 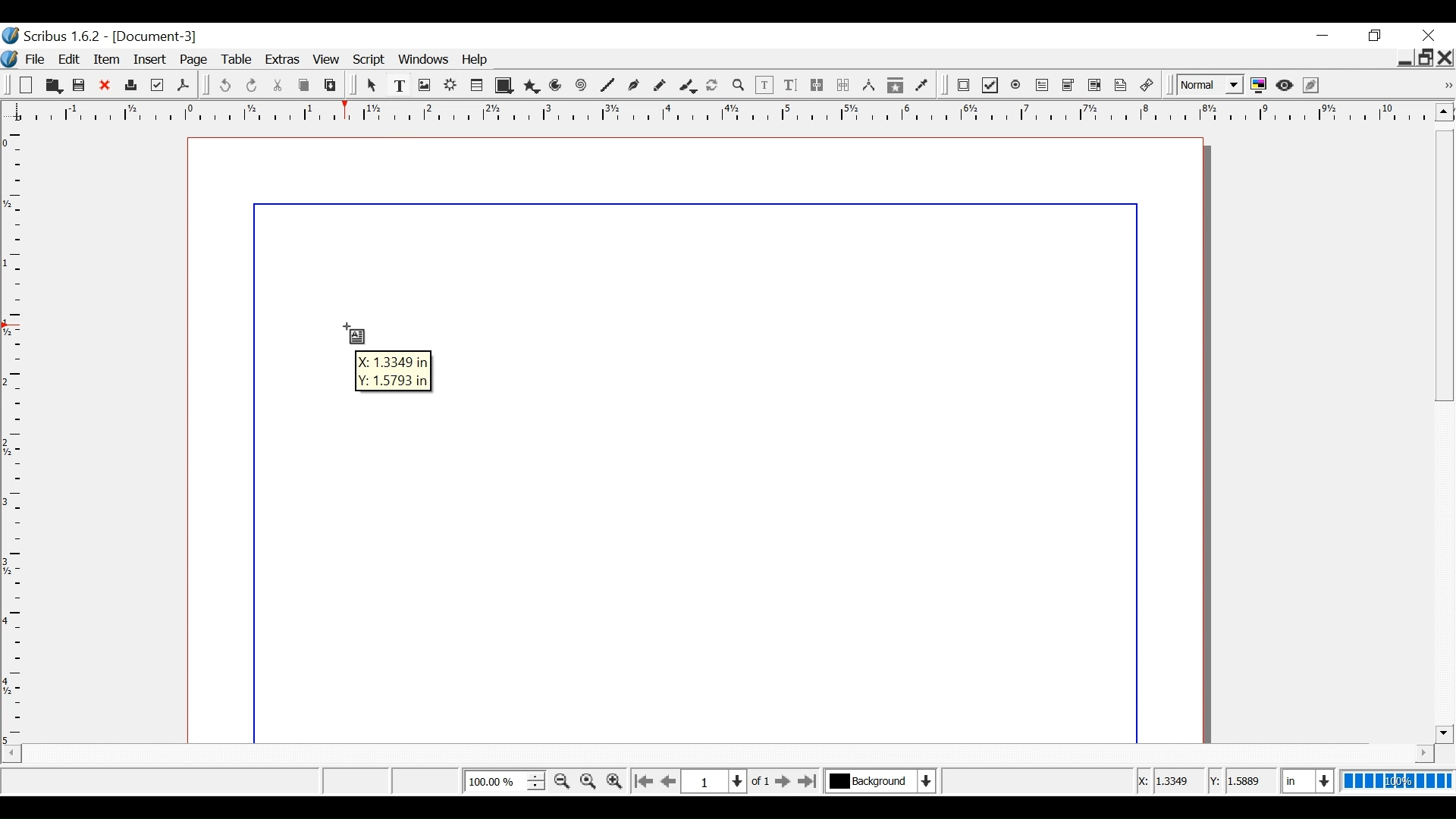 What do you see at coordinates (27, 85) in the screenshot?
I see `New` at bounding box center [27, 85].